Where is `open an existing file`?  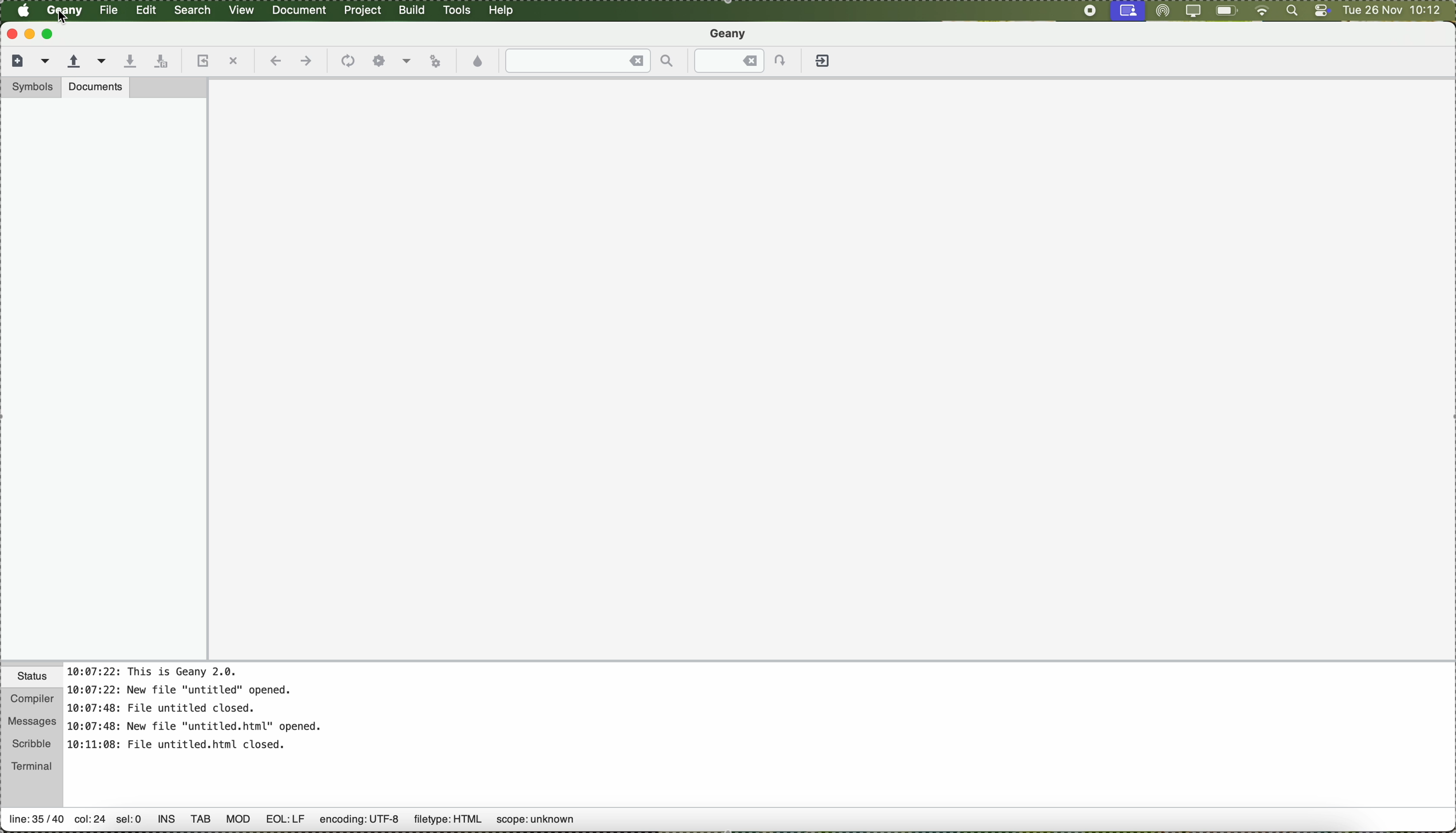 open an existing file is located at coordinates (74, 62).